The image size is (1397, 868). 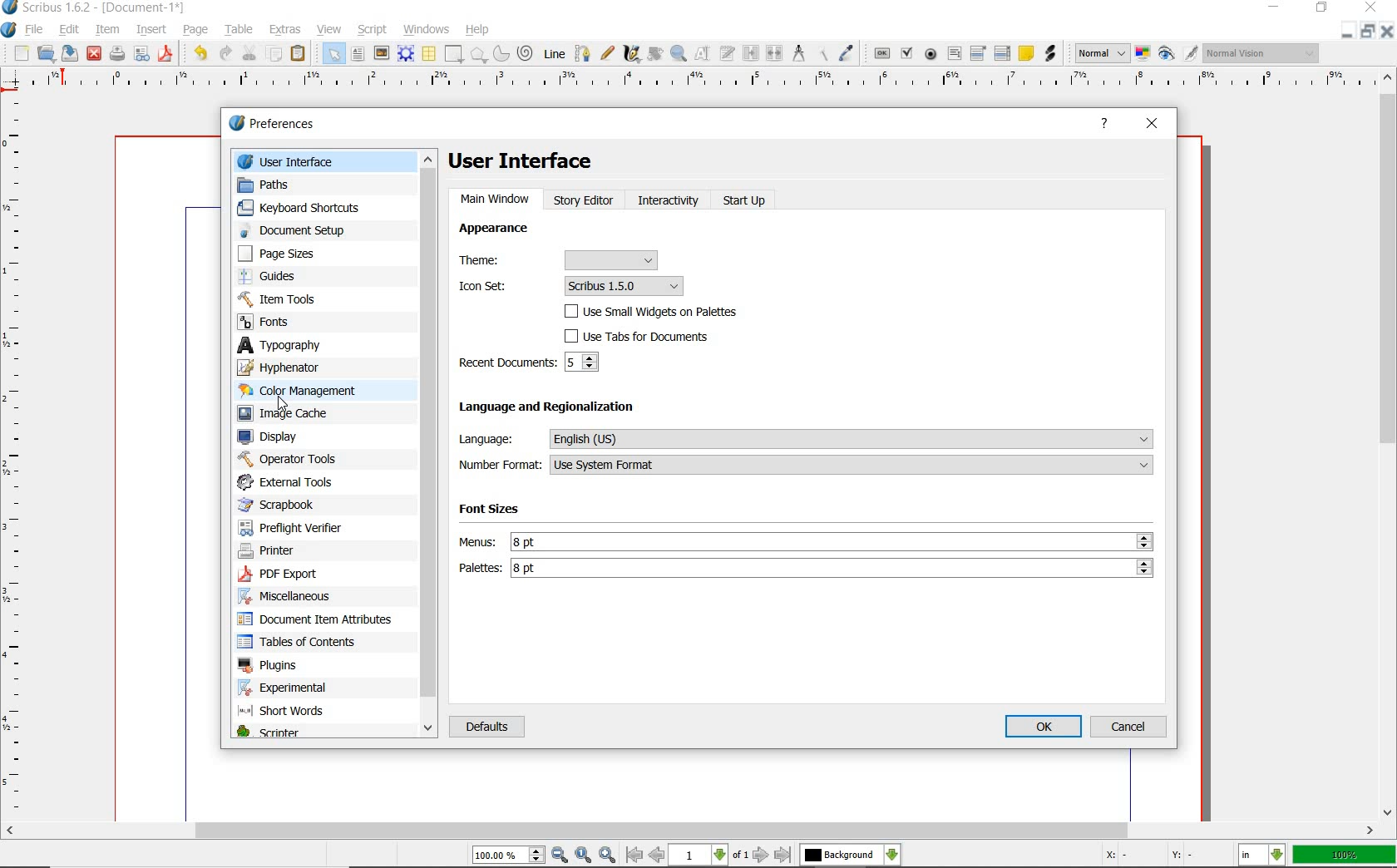 I want to click on text annotation, so click(x=1025, y=54).